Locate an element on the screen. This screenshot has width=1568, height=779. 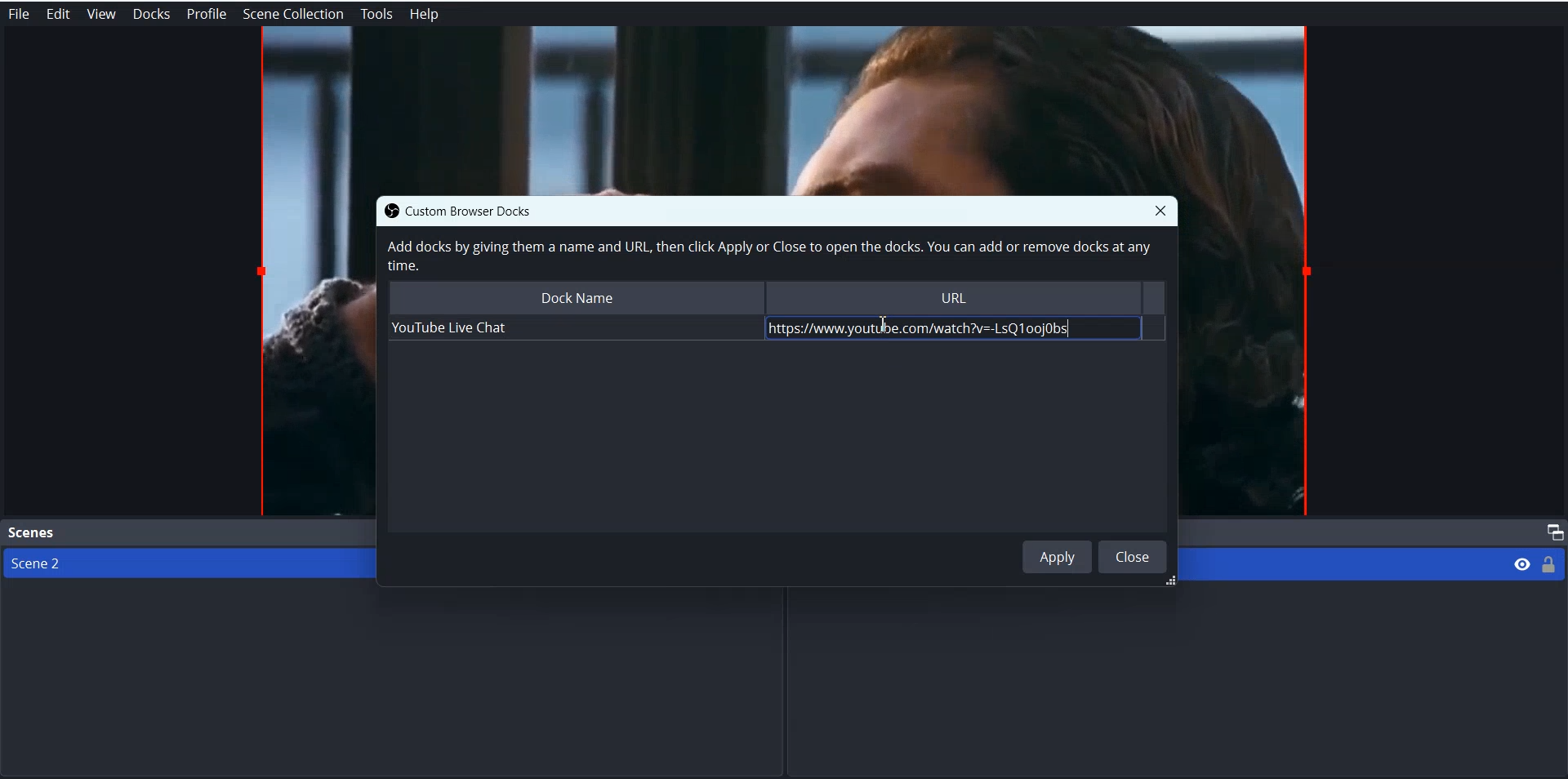
Edit is located at coordinates (57, 14).